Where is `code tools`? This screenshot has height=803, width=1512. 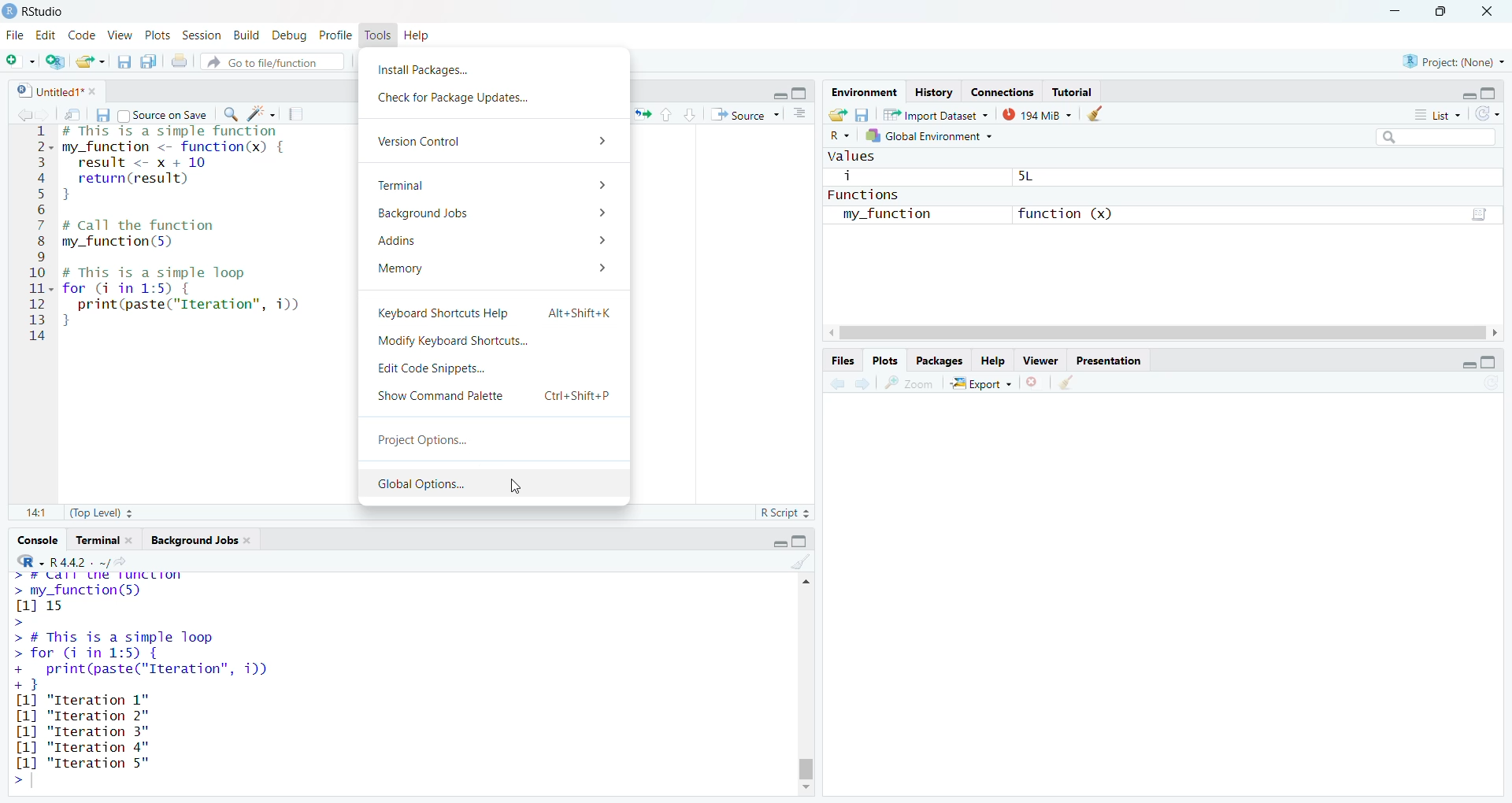
code tools is located at coordinates (262, 113).